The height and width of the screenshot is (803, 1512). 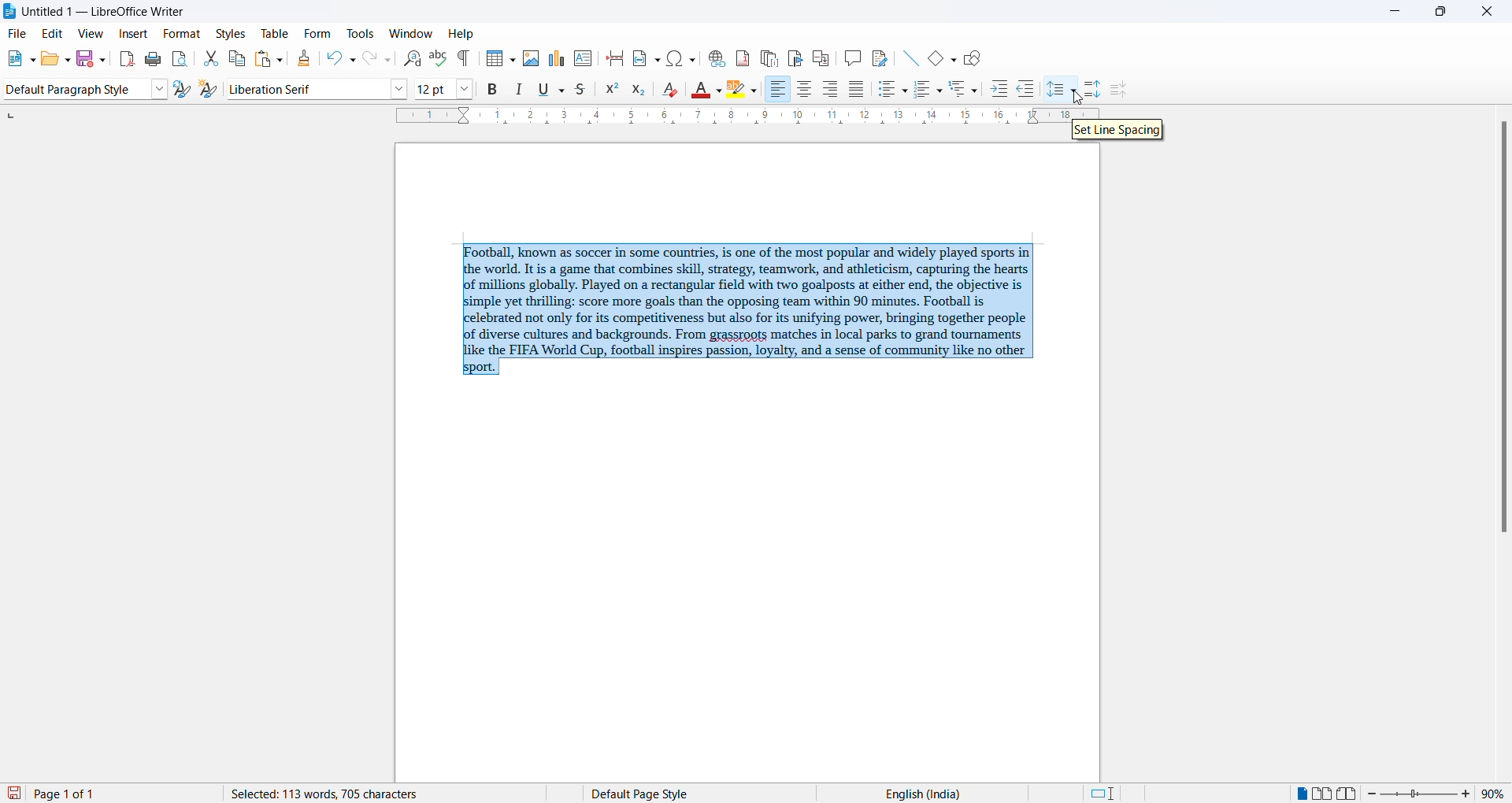 I want to click on export as pdf, so click(x=124, y=59).